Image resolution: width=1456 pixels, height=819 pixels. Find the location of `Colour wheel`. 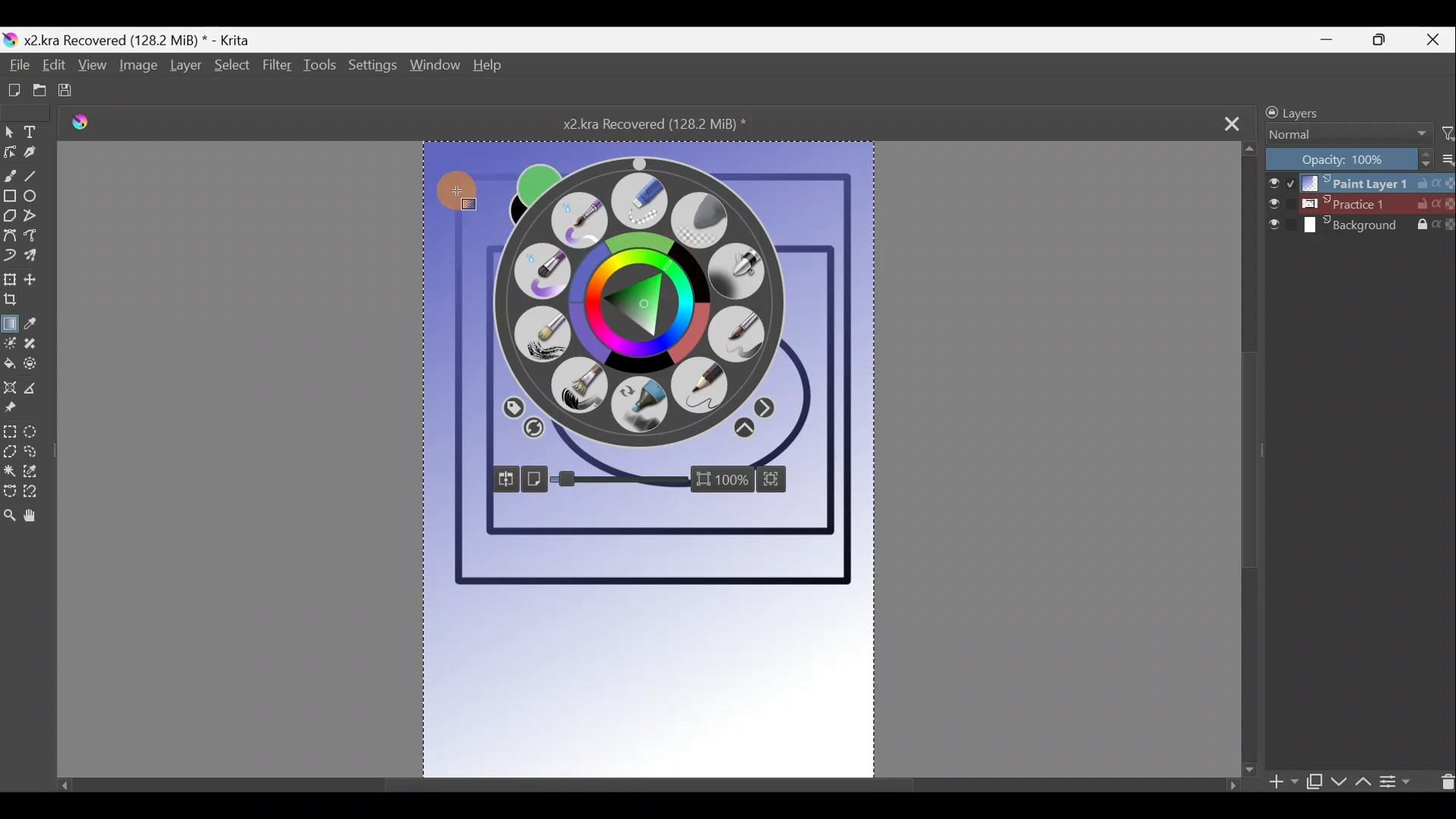

Colour wheel is located at coordinates (604, 303).